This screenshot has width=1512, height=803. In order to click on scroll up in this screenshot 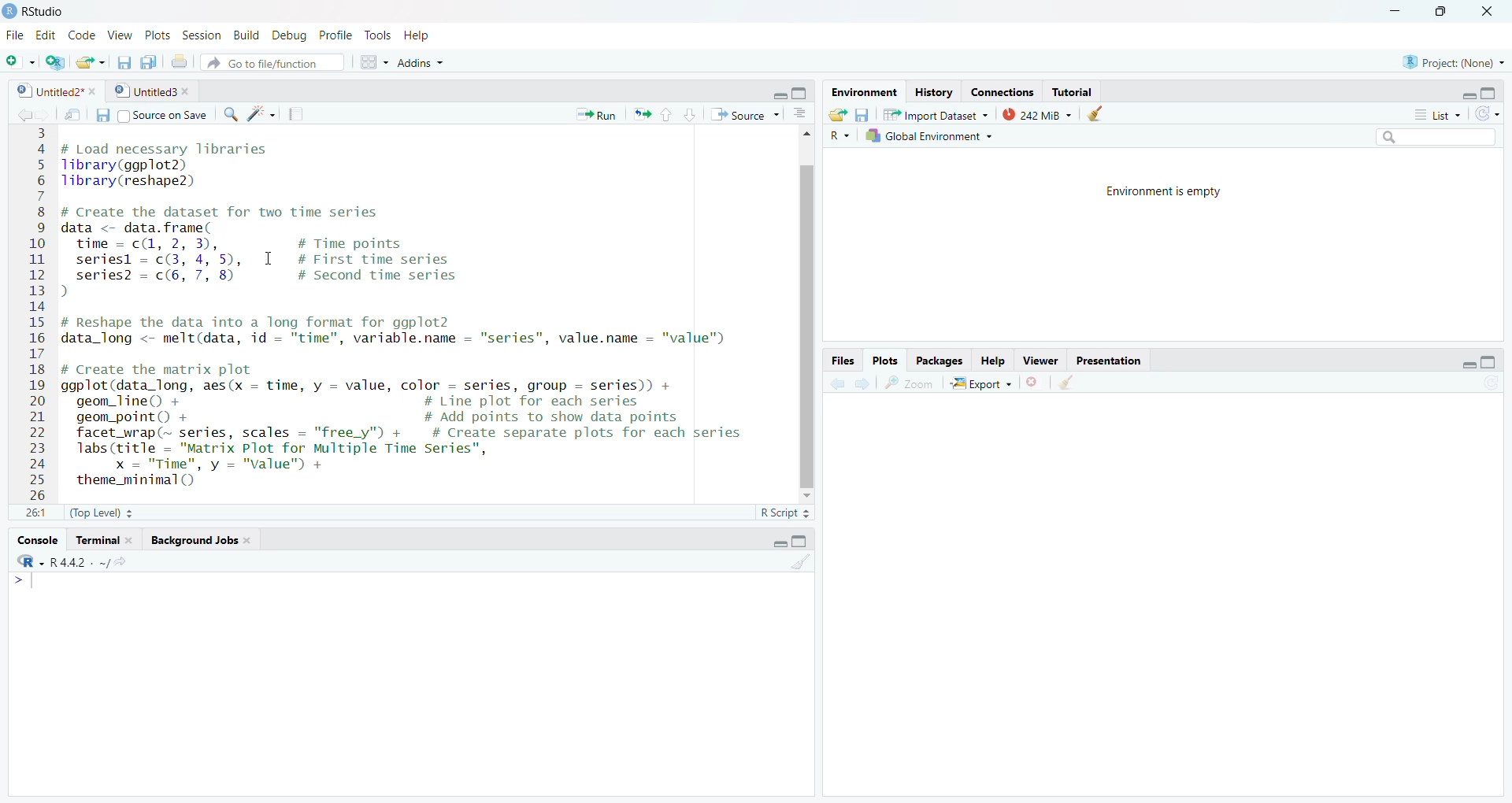, I will do `click(806, 137)`.